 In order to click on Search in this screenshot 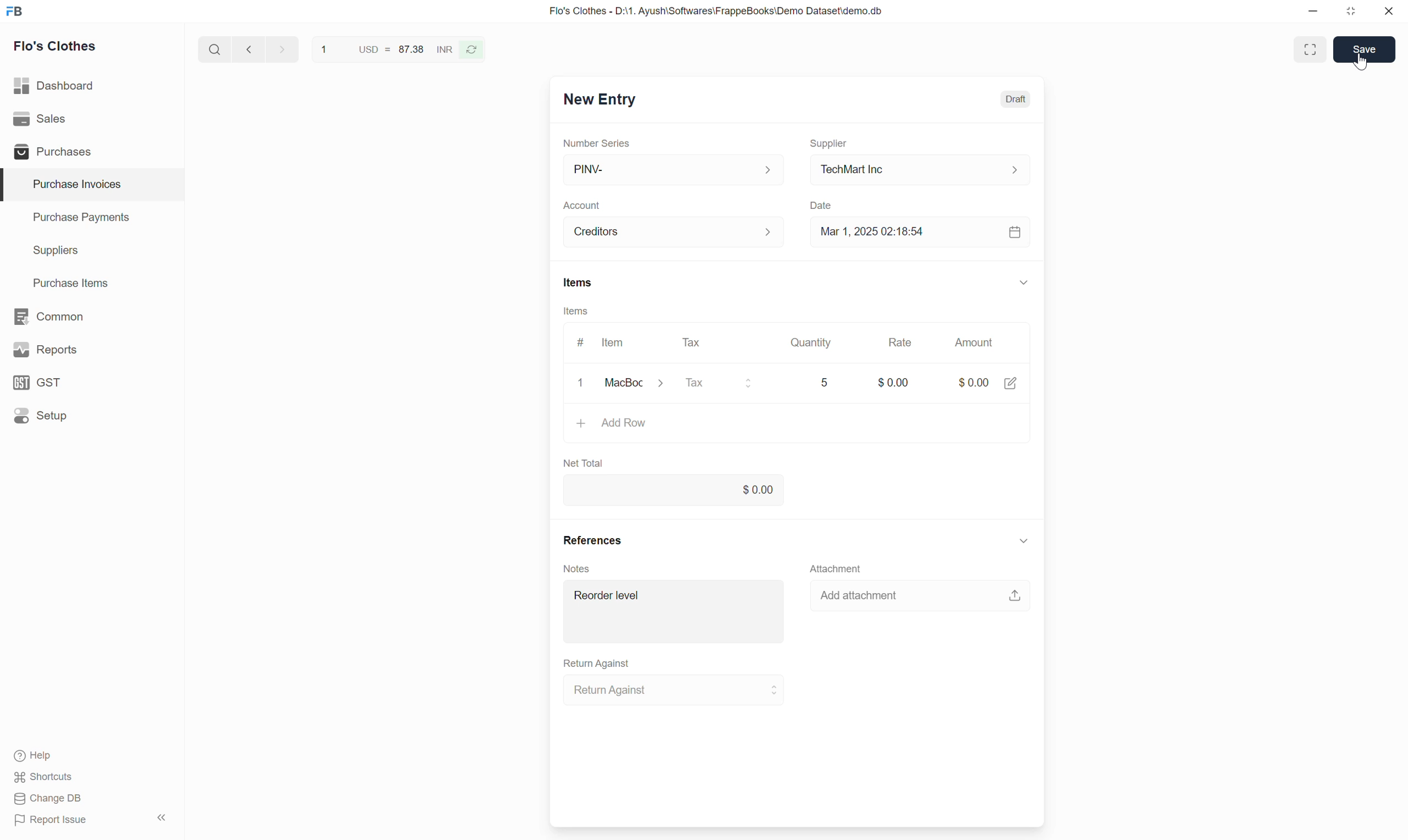, I will do `click(215, 49)`.